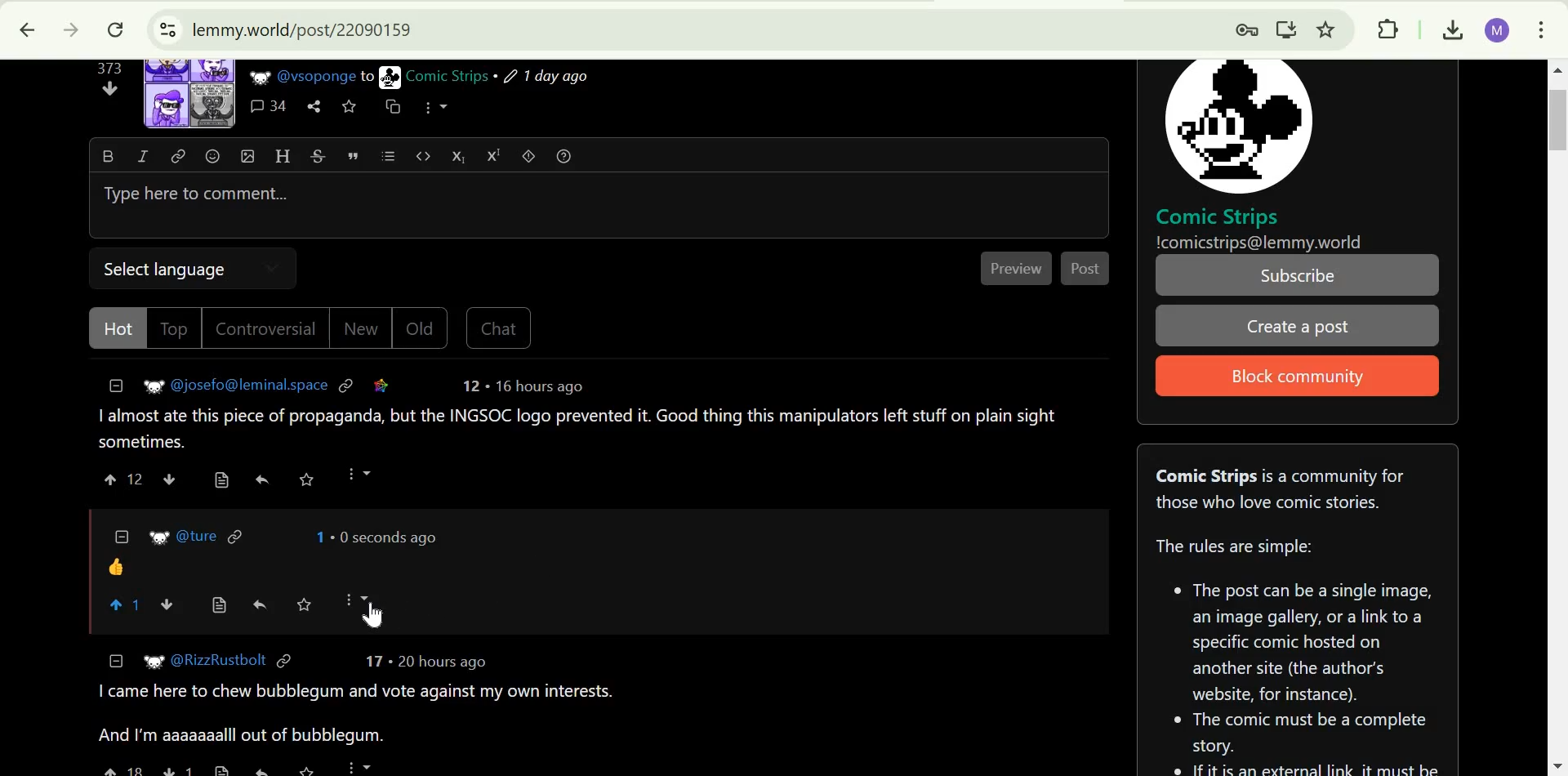  Describe the element at coordinates (117, 386) in the screenshot. I see `collapse` at that location.